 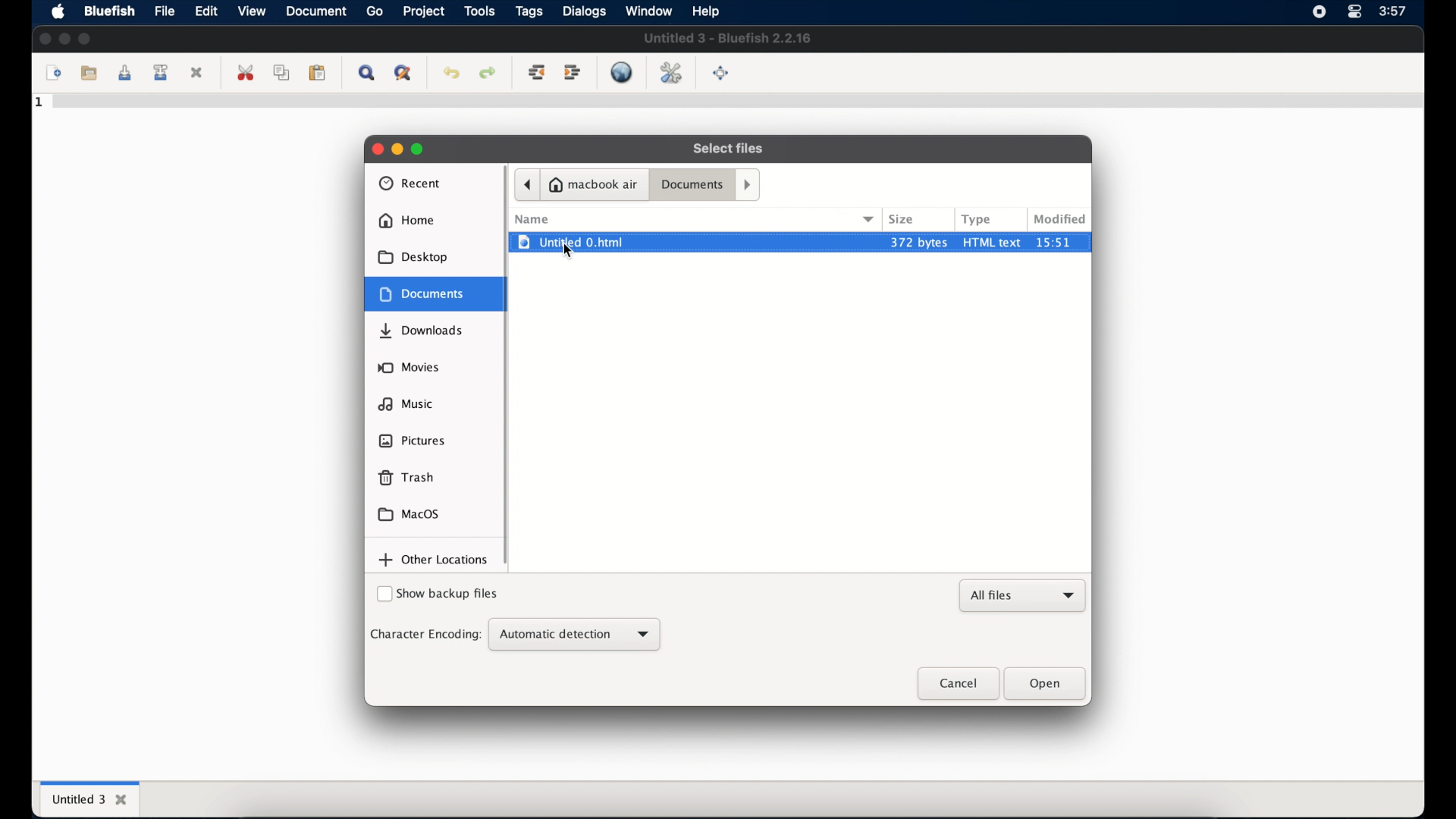 What do you see at coordinates (1062, 242) in the screenshot?
I see `15  : 51` at bounding box center [1062, 242].